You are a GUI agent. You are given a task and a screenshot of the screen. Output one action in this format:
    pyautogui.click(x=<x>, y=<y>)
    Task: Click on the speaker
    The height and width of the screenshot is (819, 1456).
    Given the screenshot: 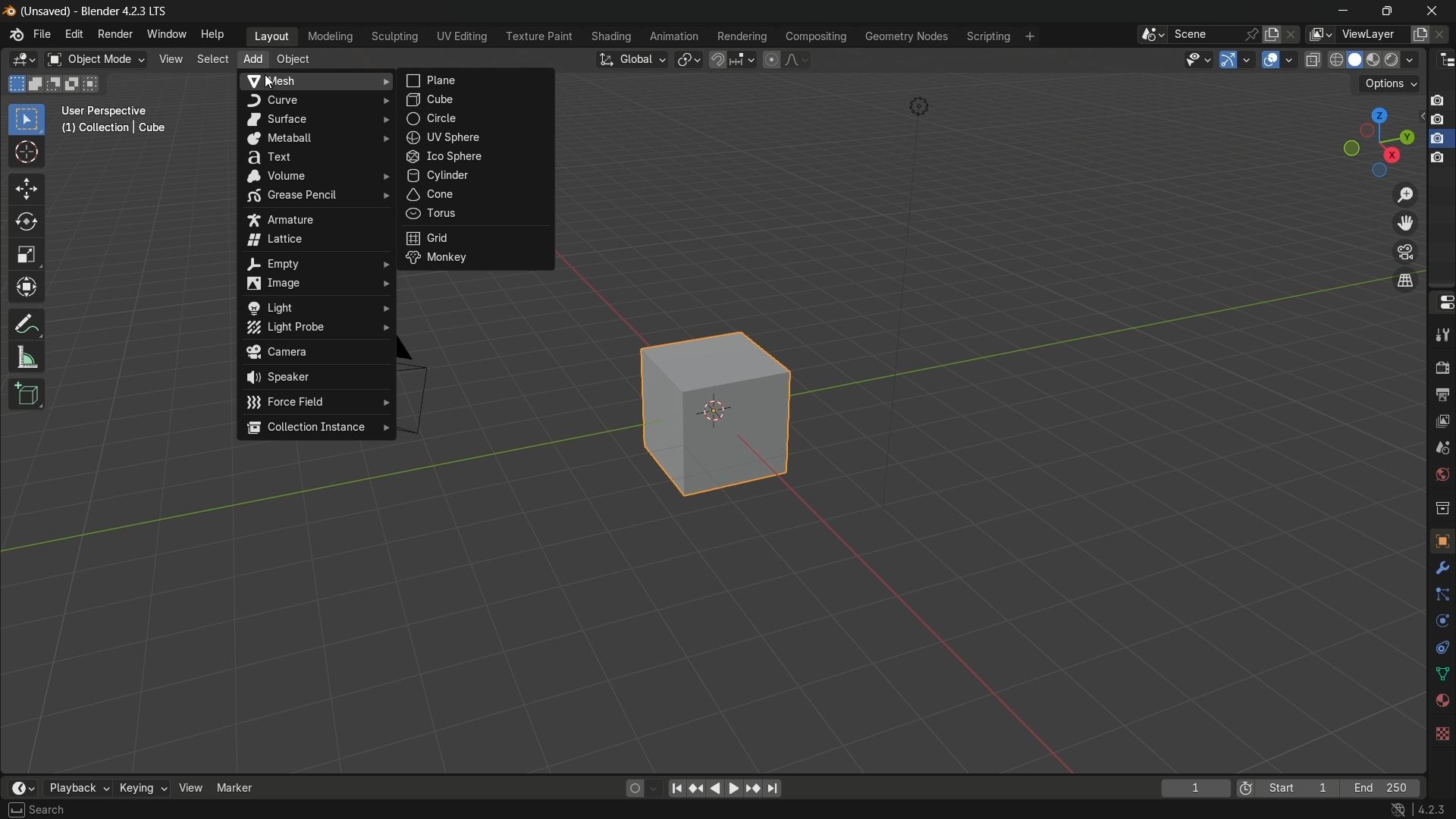 What is the action you would take?
    pyautogui.click(x=315, y=378)
    